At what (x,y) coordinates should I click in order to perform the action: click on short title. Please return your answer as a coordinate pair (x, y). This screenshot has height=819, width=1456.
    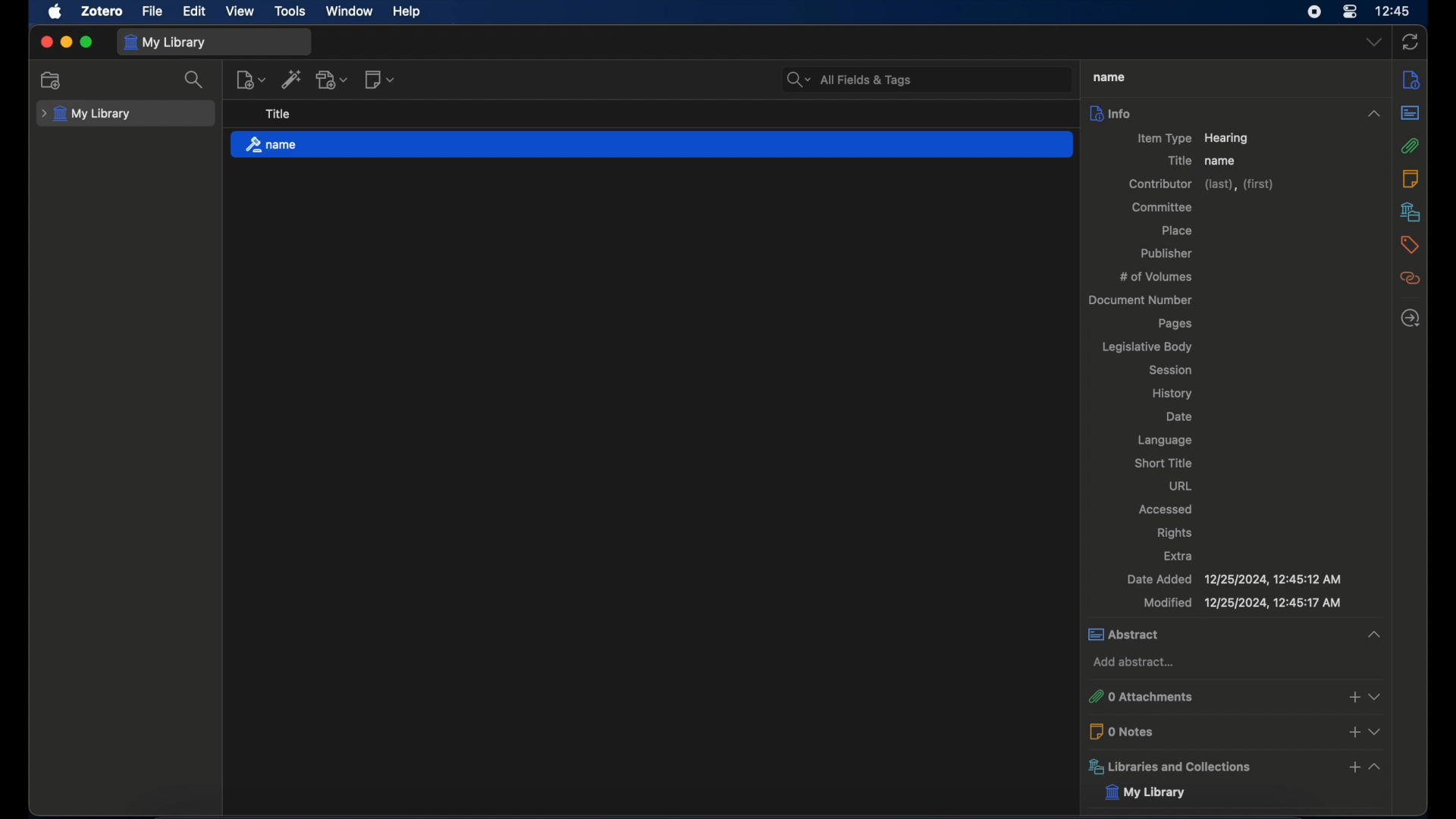
    Looking at the image, I should click on (1164, 463).